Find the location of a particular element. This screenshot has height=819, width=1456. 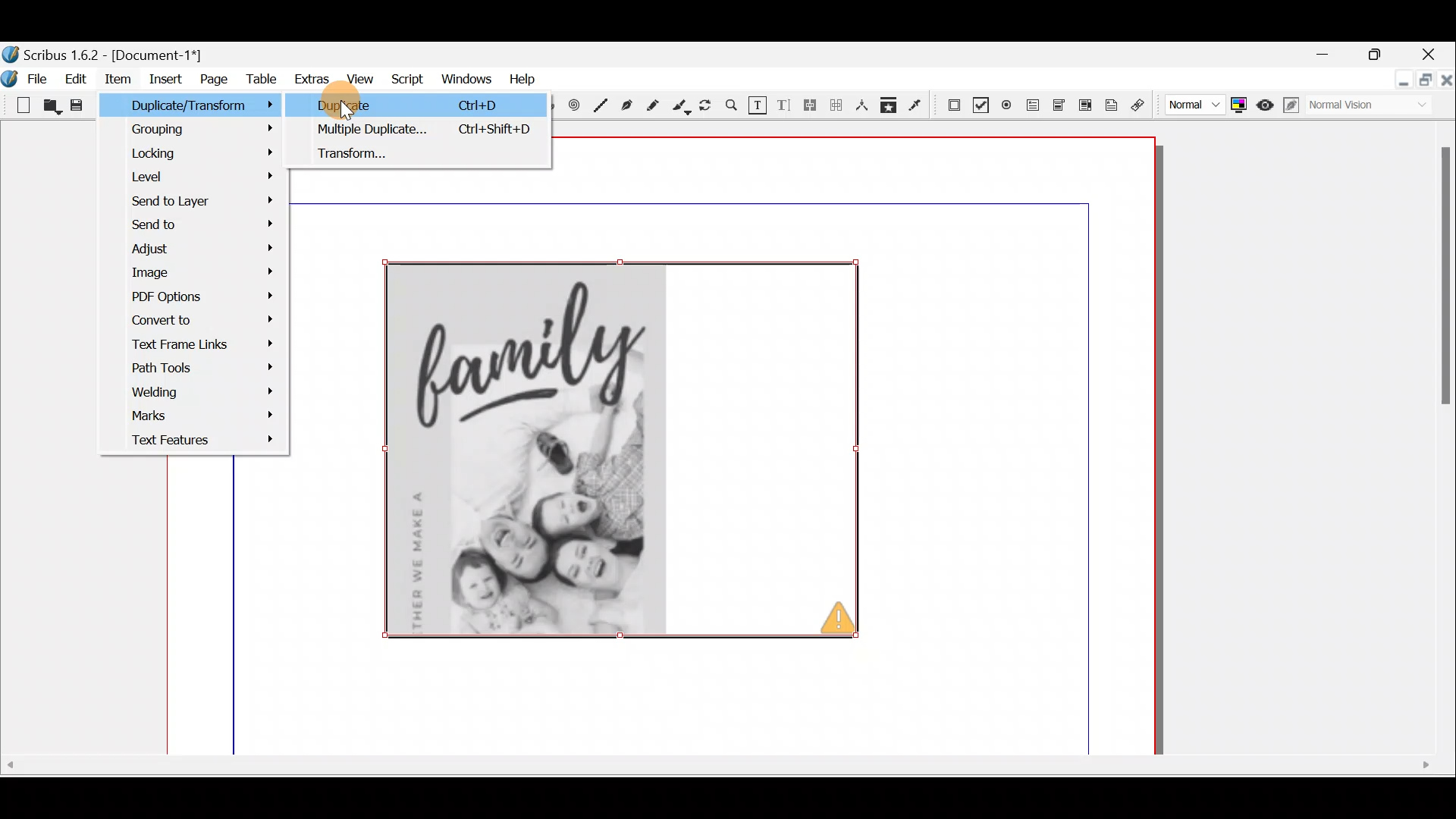

Spiral is located at coordinates (577, 107).